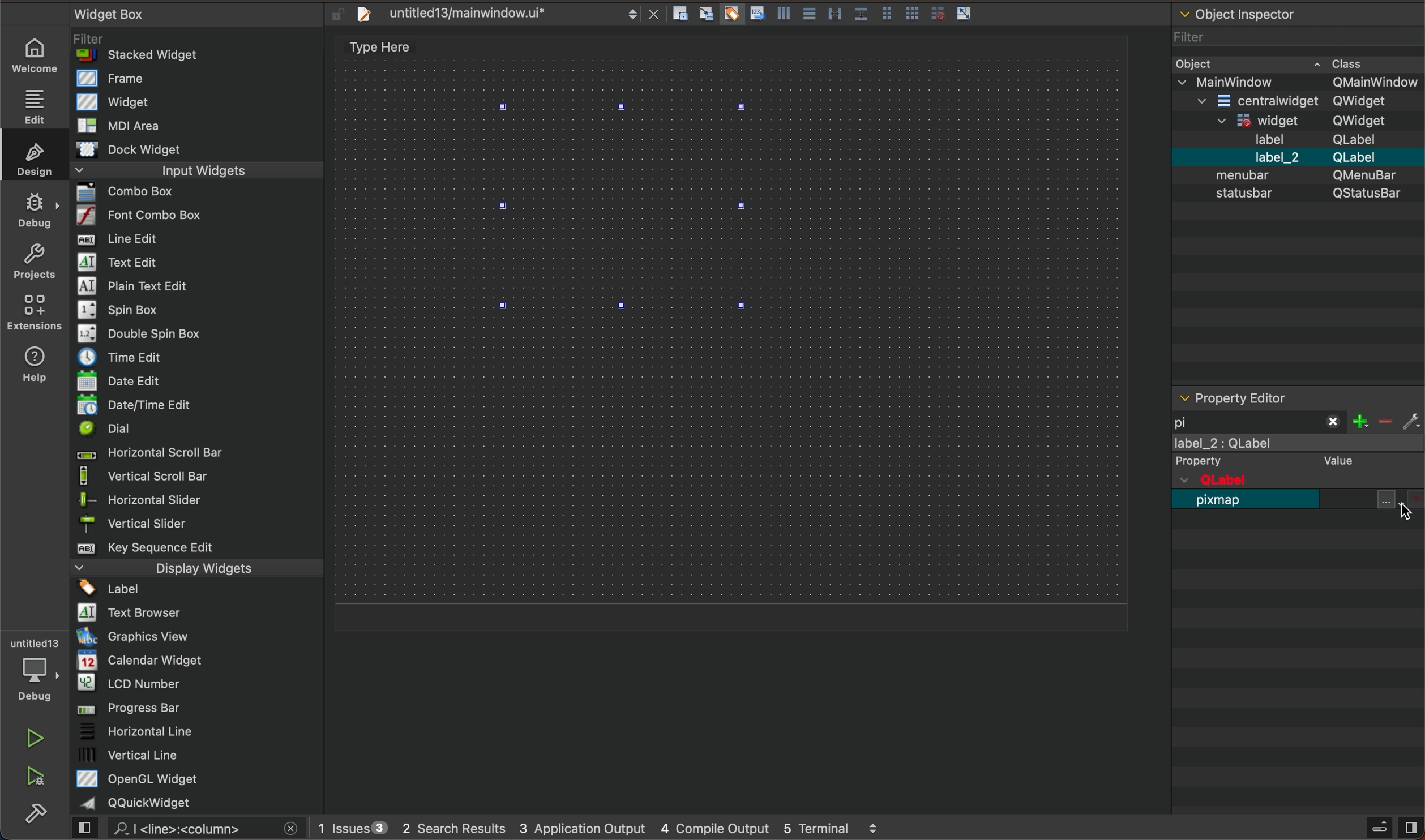  I want to click on label, so click(1300, 454).